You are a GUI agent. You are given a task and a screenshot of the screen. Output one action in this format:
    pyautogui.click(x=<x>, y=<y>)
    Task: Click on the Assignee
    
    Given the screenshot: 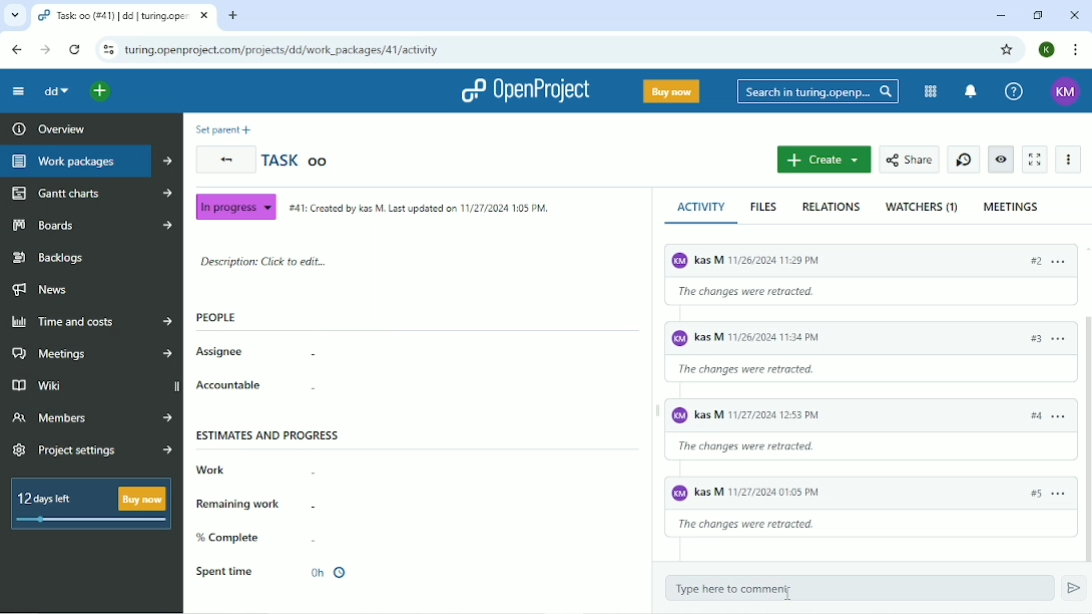 What is the action you would take?
    pyautogui.click(x=255, y=353)
    